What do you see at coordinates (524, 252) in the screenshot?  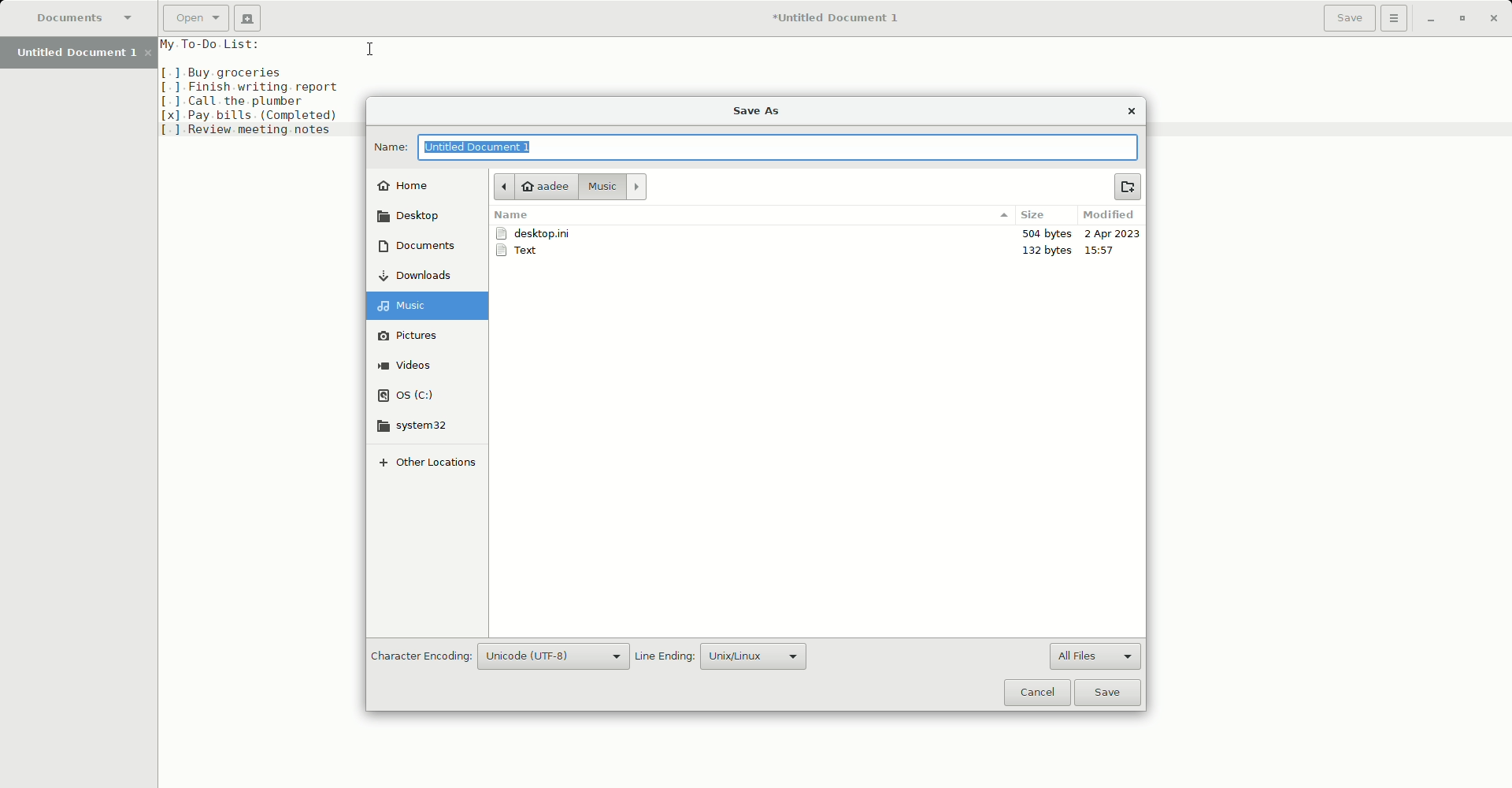 I see `Text` at bounding box center [524, 252].